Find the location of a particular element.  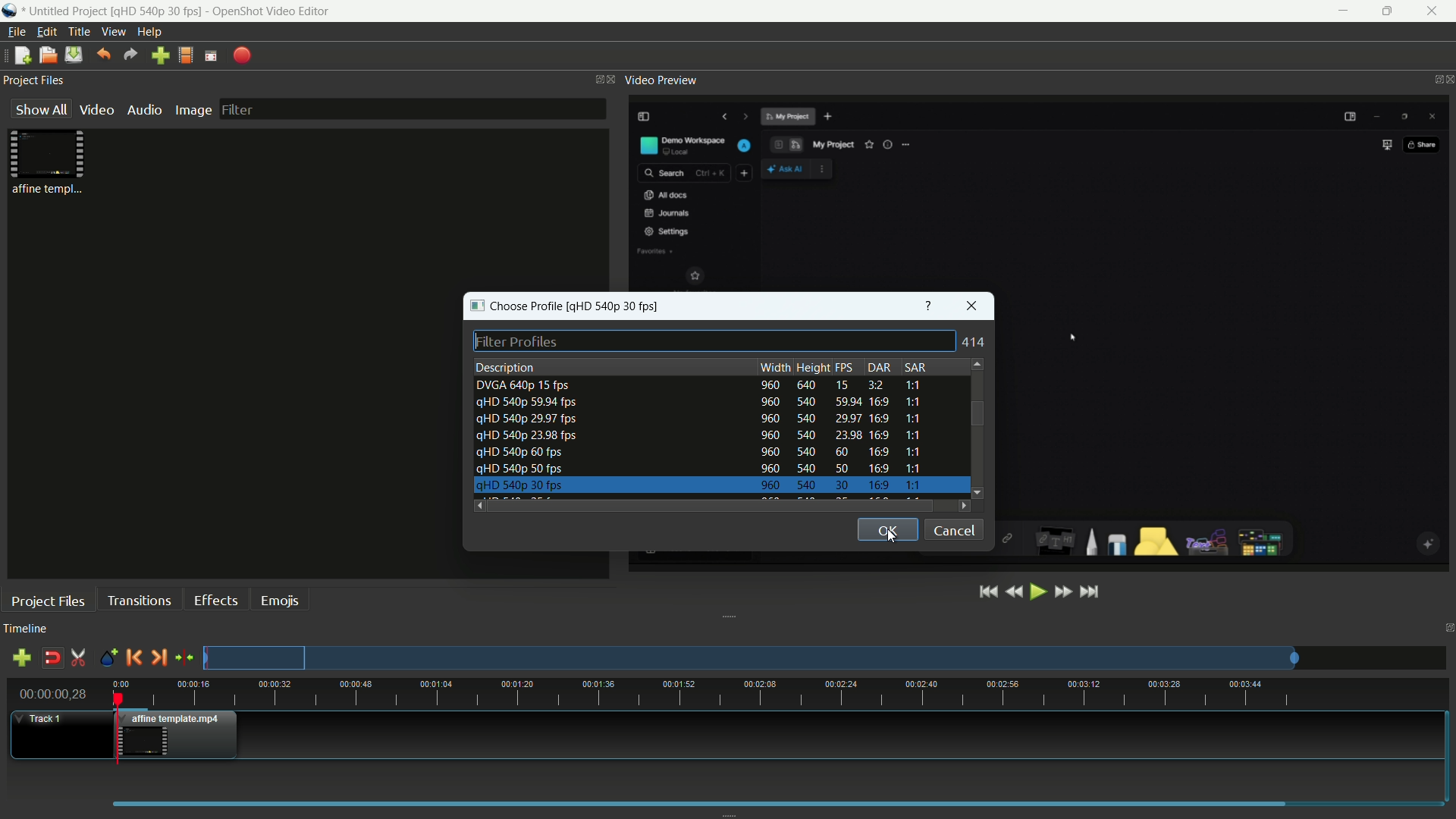

profile-6 is located at coordinates (695, 469).